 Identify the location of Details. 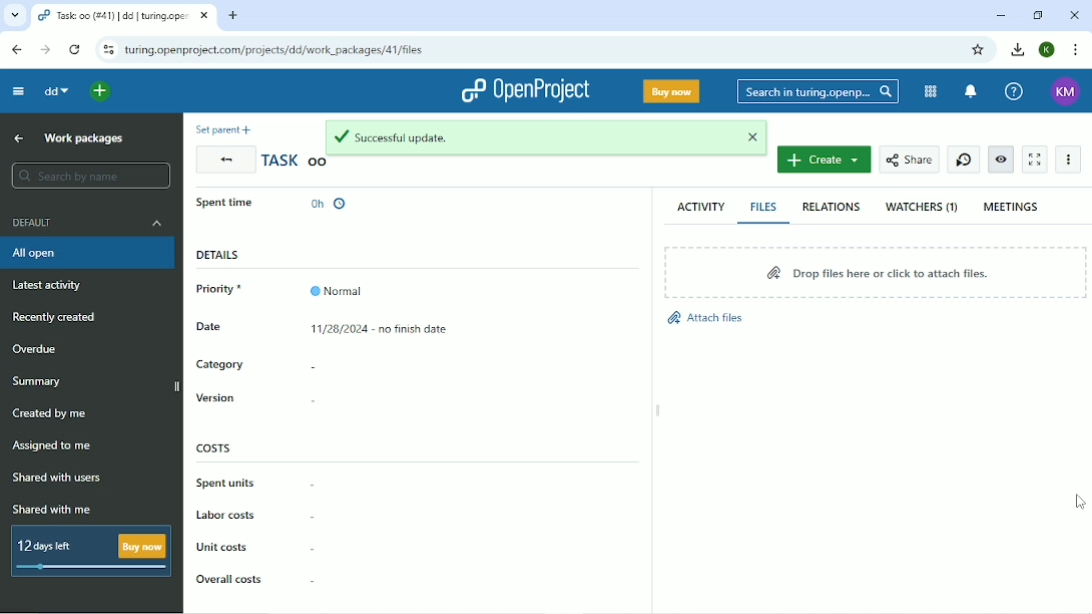
(218, 254).